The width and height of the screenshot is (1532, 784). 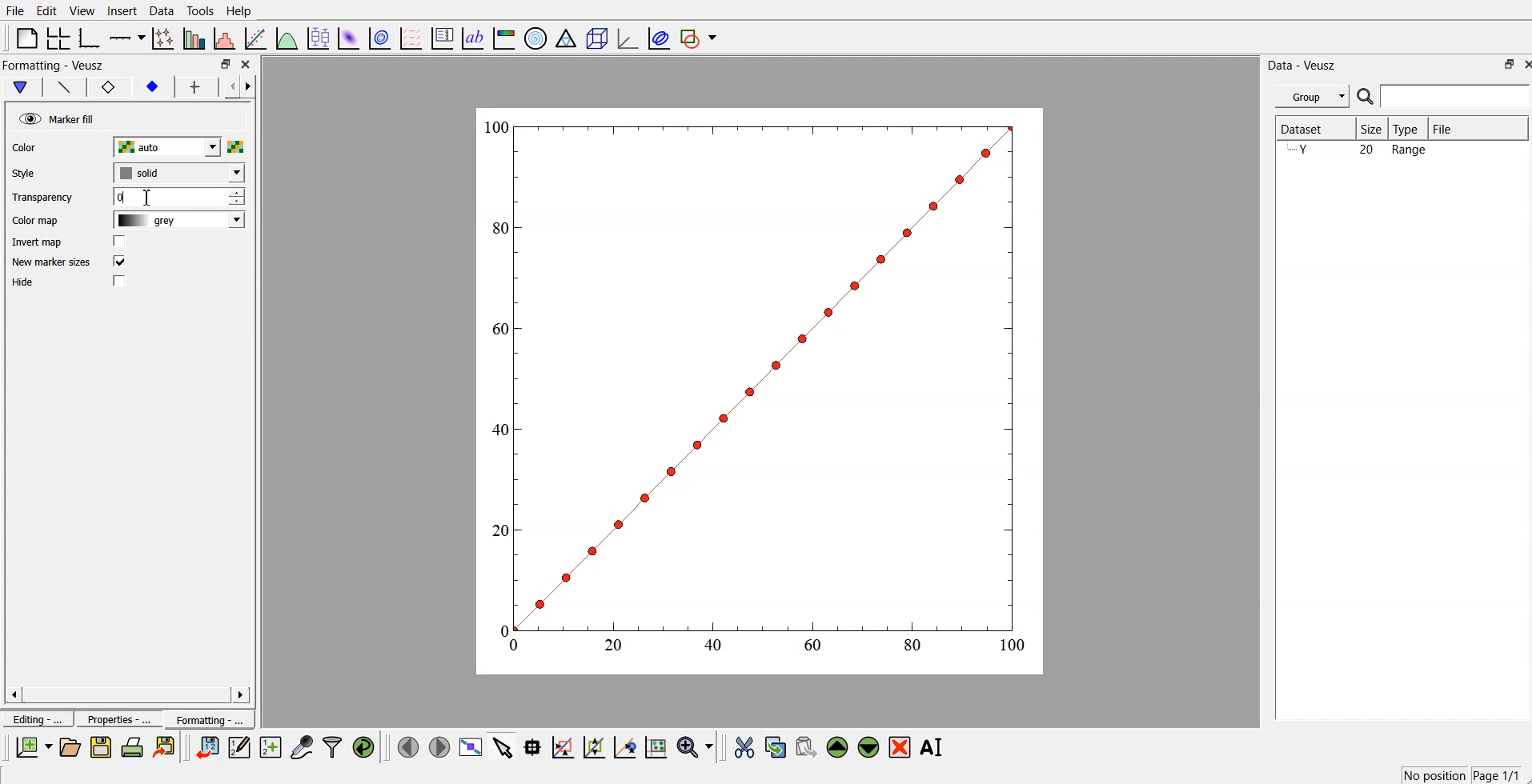 What do you see at coordinates (505, 37) in the screenshot?
I see `image color bar` at bounding box center [505, 37].